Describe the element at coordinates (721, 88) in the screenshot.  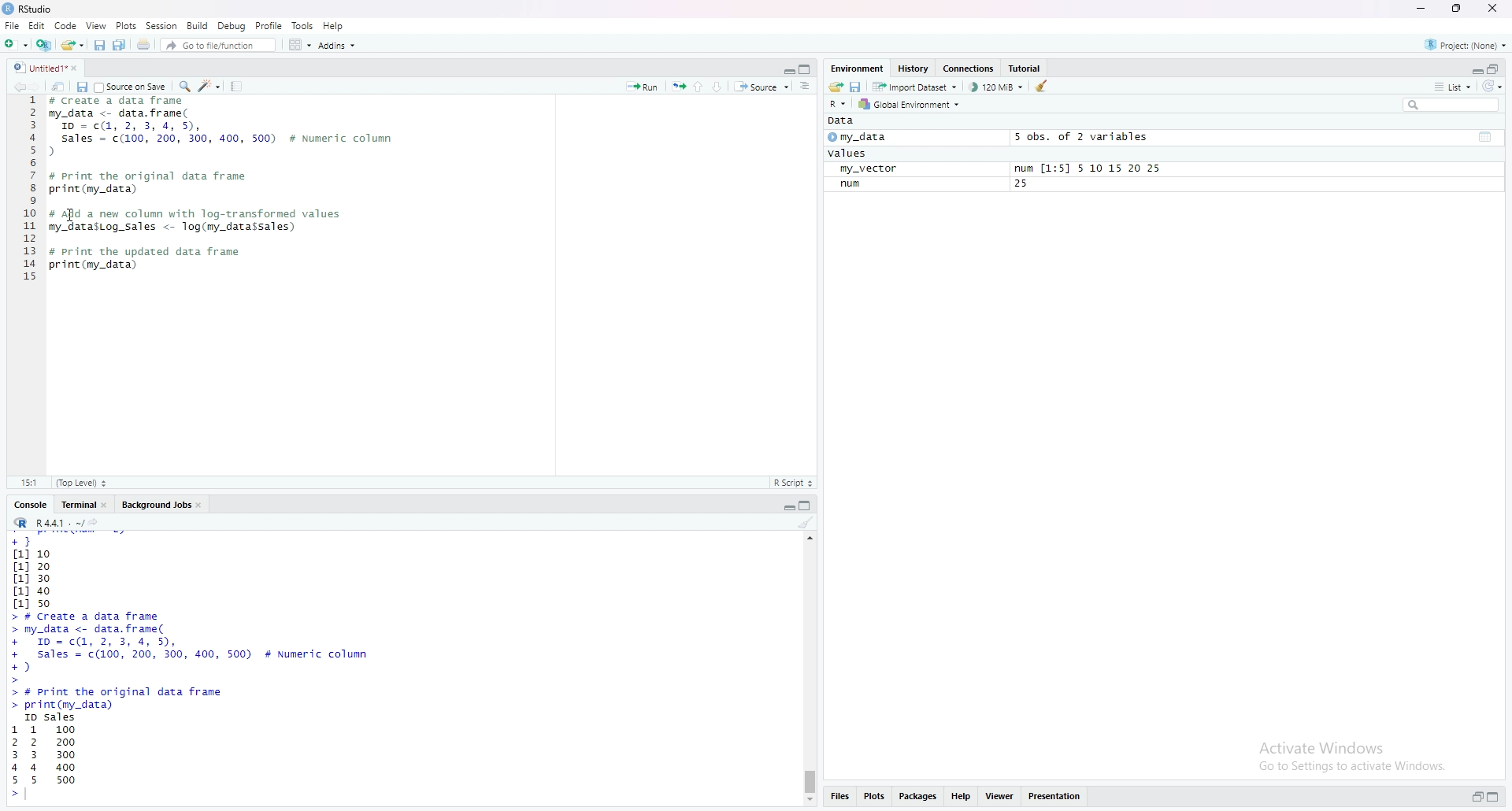
I see `go to next section/chunk` at that location.